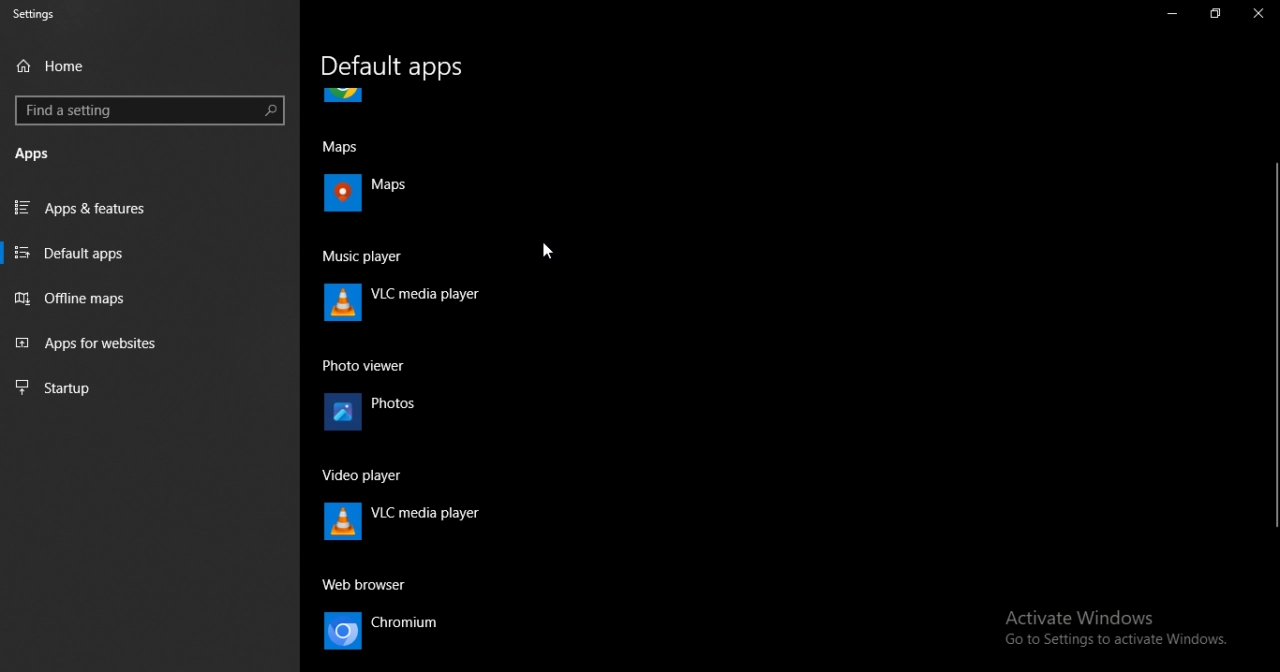  What do you see at coordinates (1260, 17) in the screenshot?
I see `close tab` at bounding box center [1260, 17].